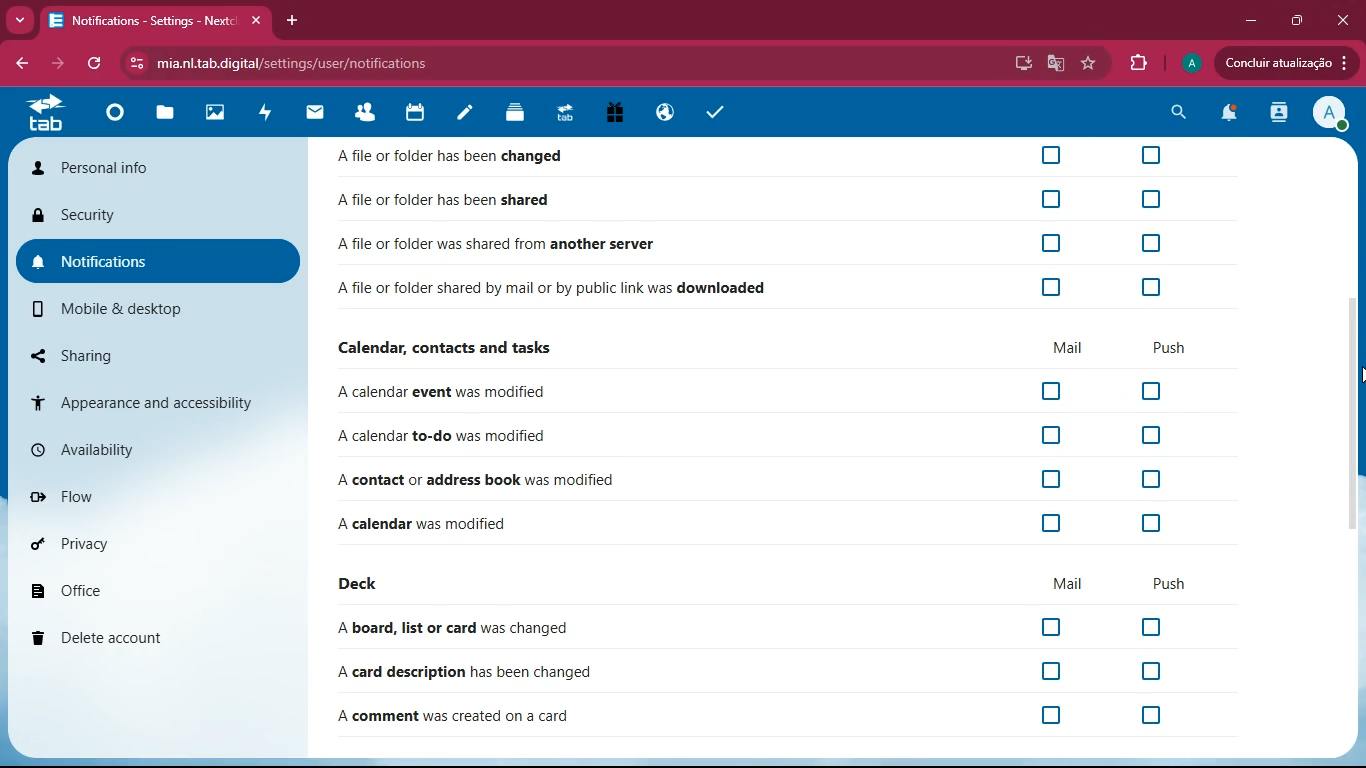 The width and height of the screenshot is (1366, 768). Describe the element at coordinates (1286, 62) in the screenshot. I see `Concluir atualizacao` at that location.